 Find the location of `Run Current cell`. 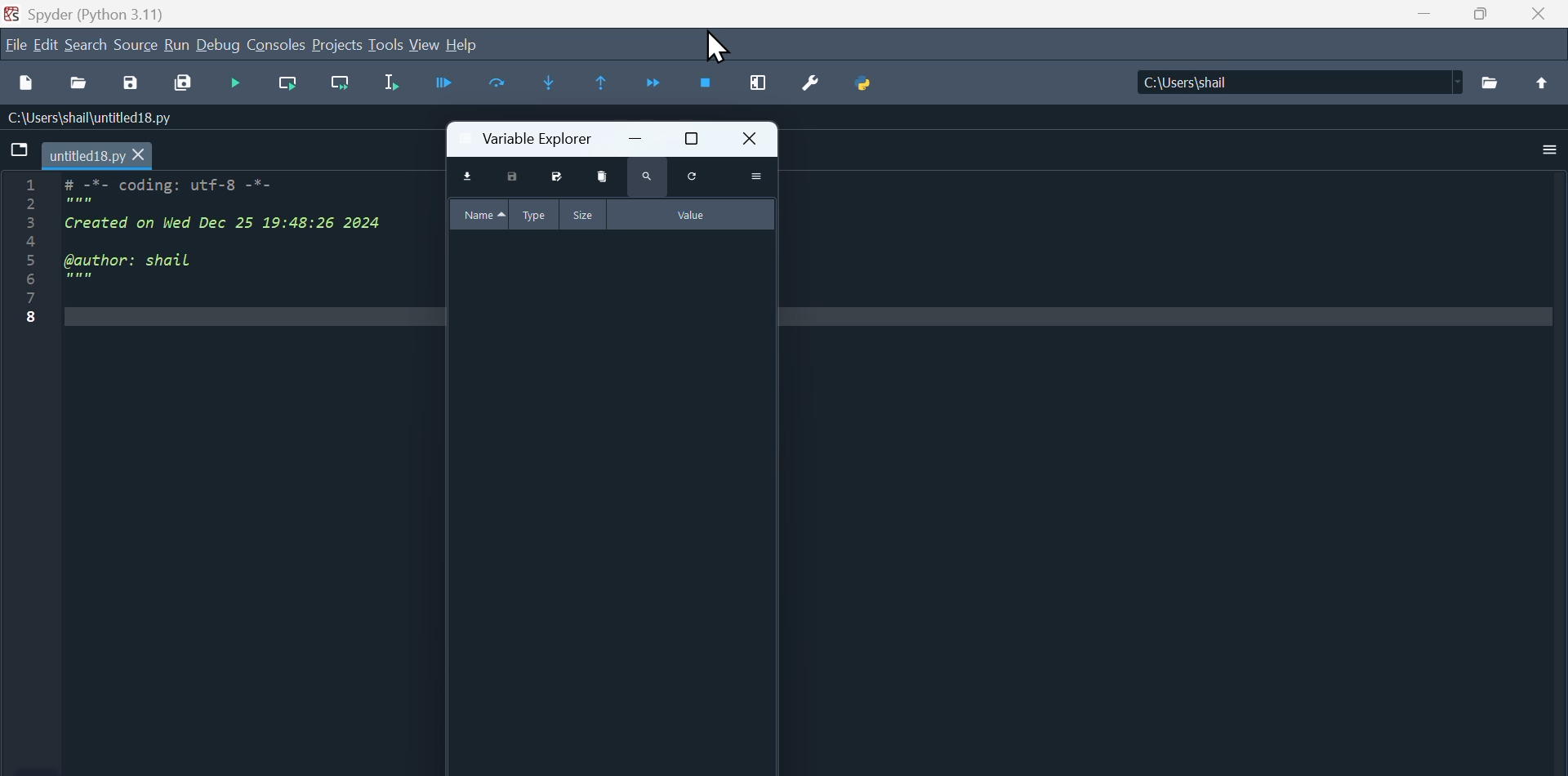

Run Current cell is located at coordinates (292, 84).